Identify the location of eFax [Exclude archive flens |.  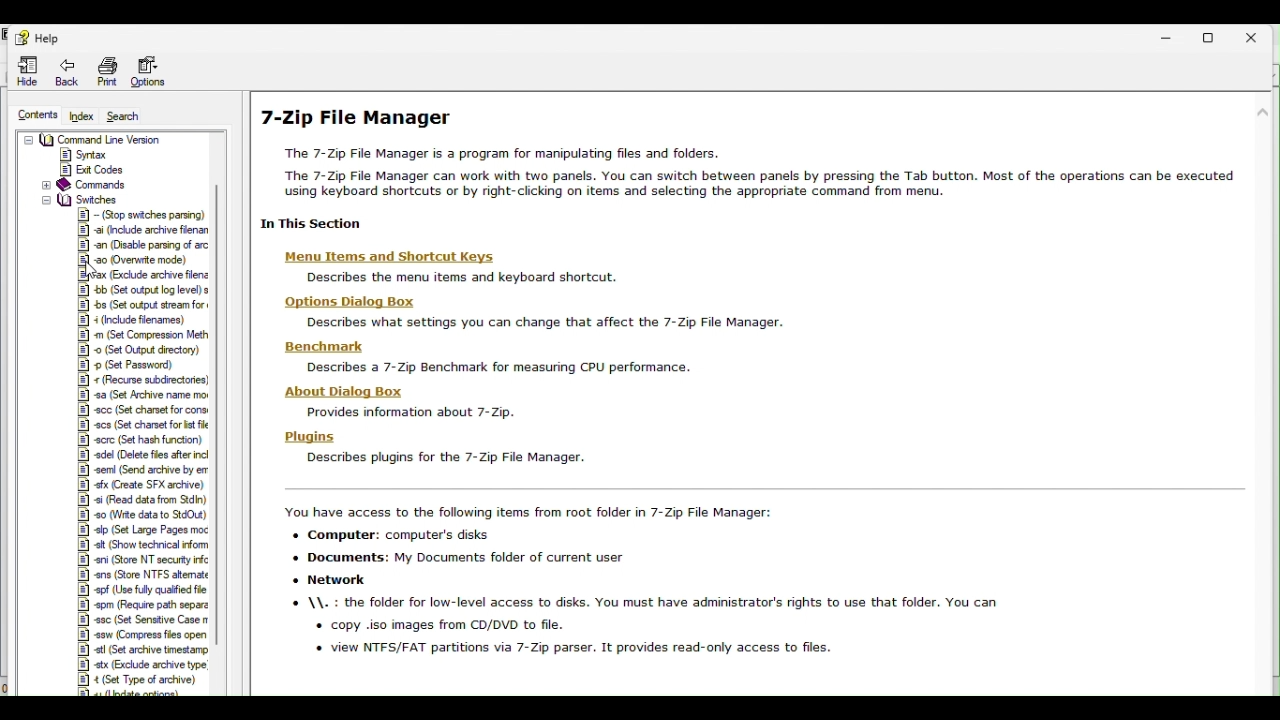
(135, 275).